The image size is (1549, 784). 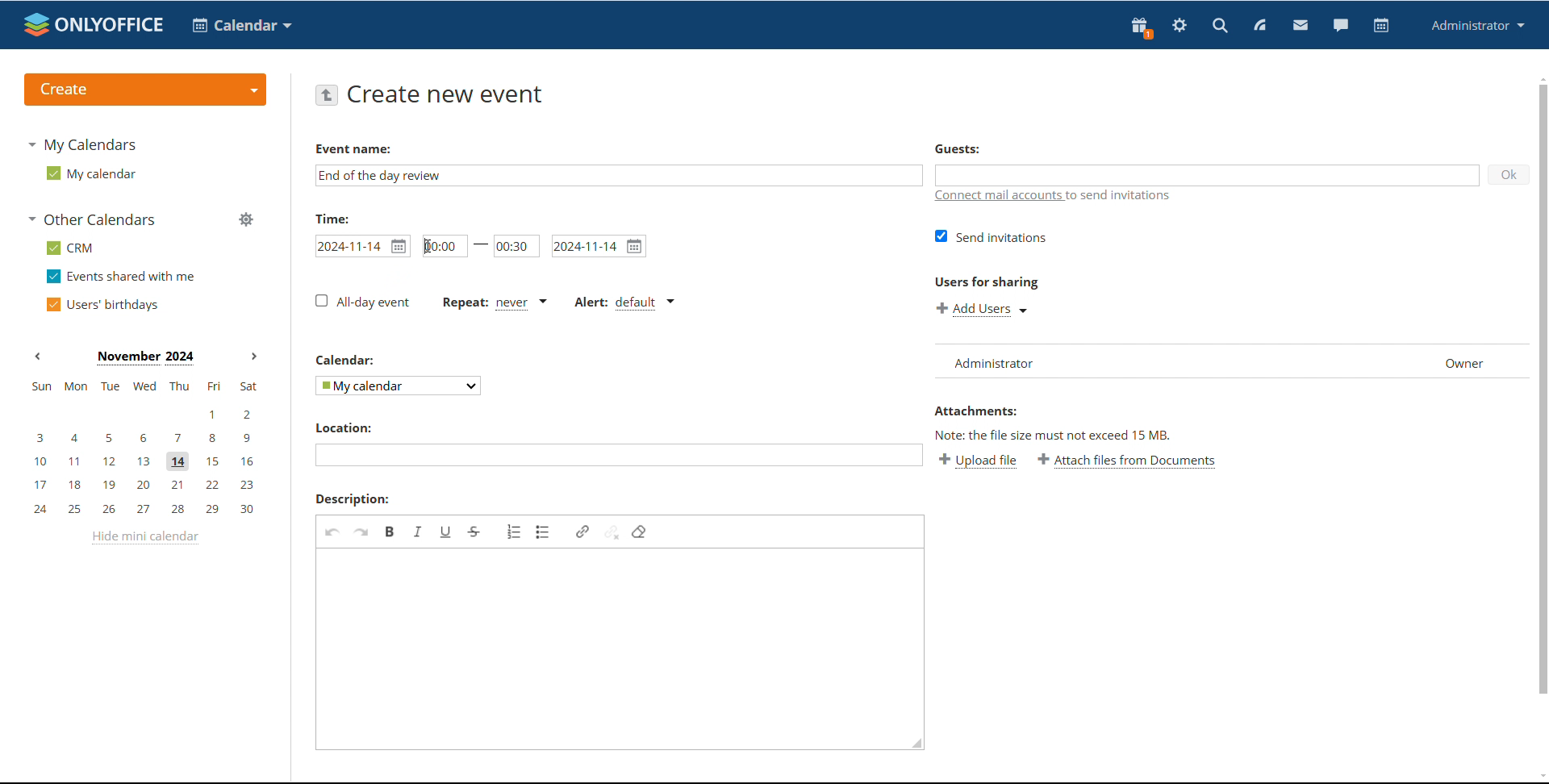 What do you see at coordinates (1179, 27) in the screenshot?
I see `settings` at bounding box center [1179, 27].